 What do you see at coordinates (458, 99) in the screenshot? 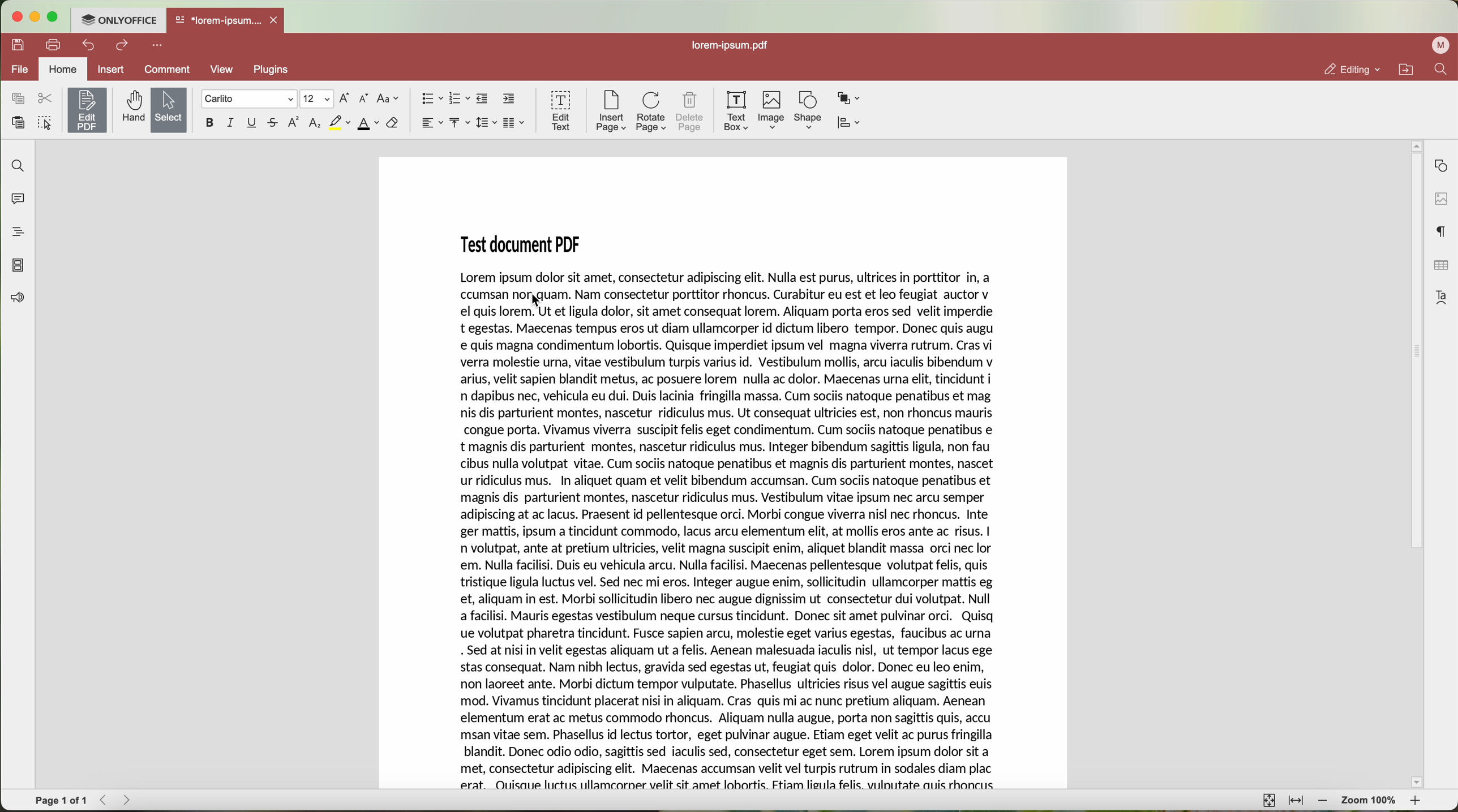
I see `numbered list` at bounding box center [458, 99].